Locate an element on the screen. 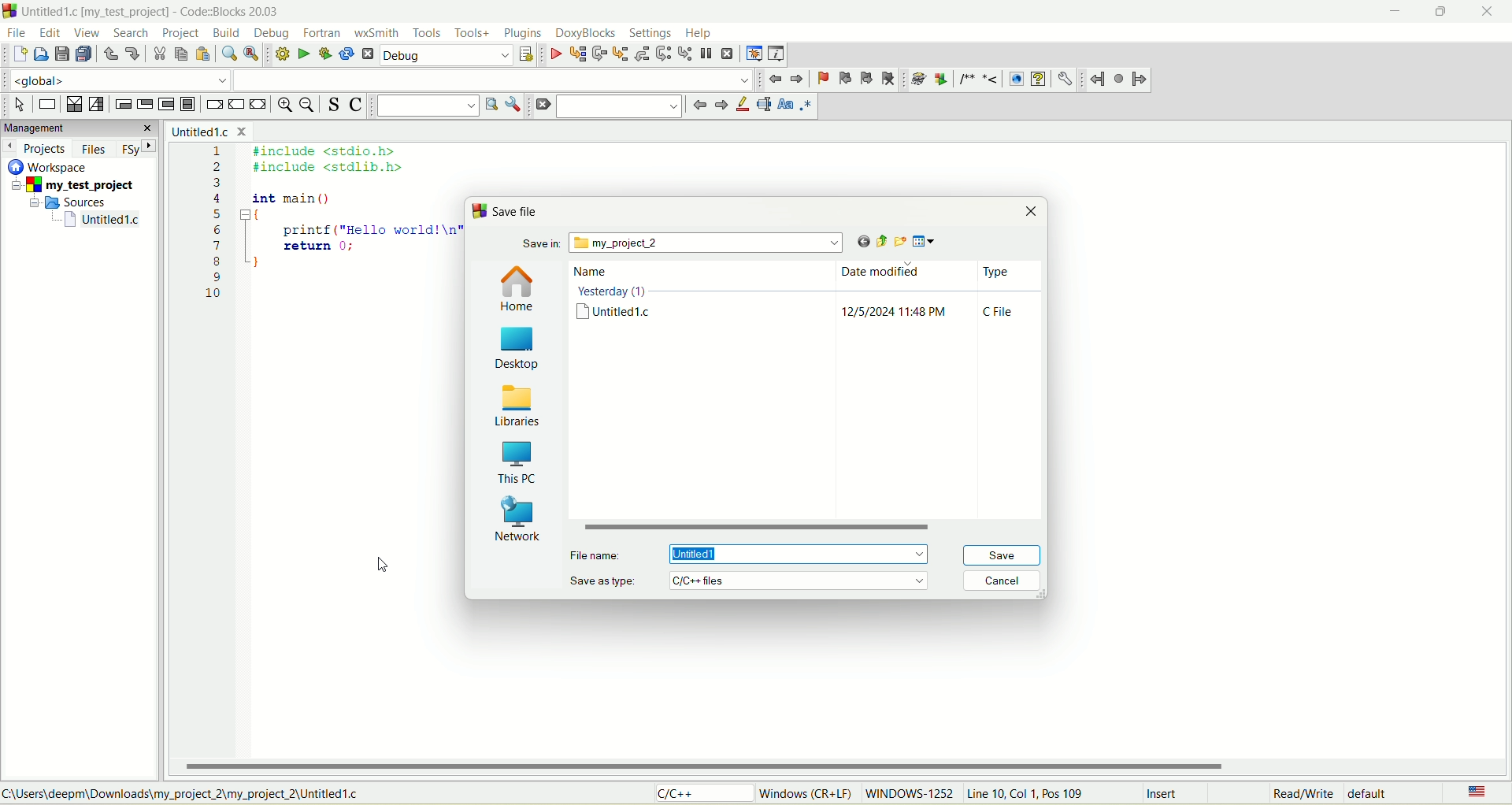 The image size is (1512, 805). create new folder is located at coordinates (899, 241).